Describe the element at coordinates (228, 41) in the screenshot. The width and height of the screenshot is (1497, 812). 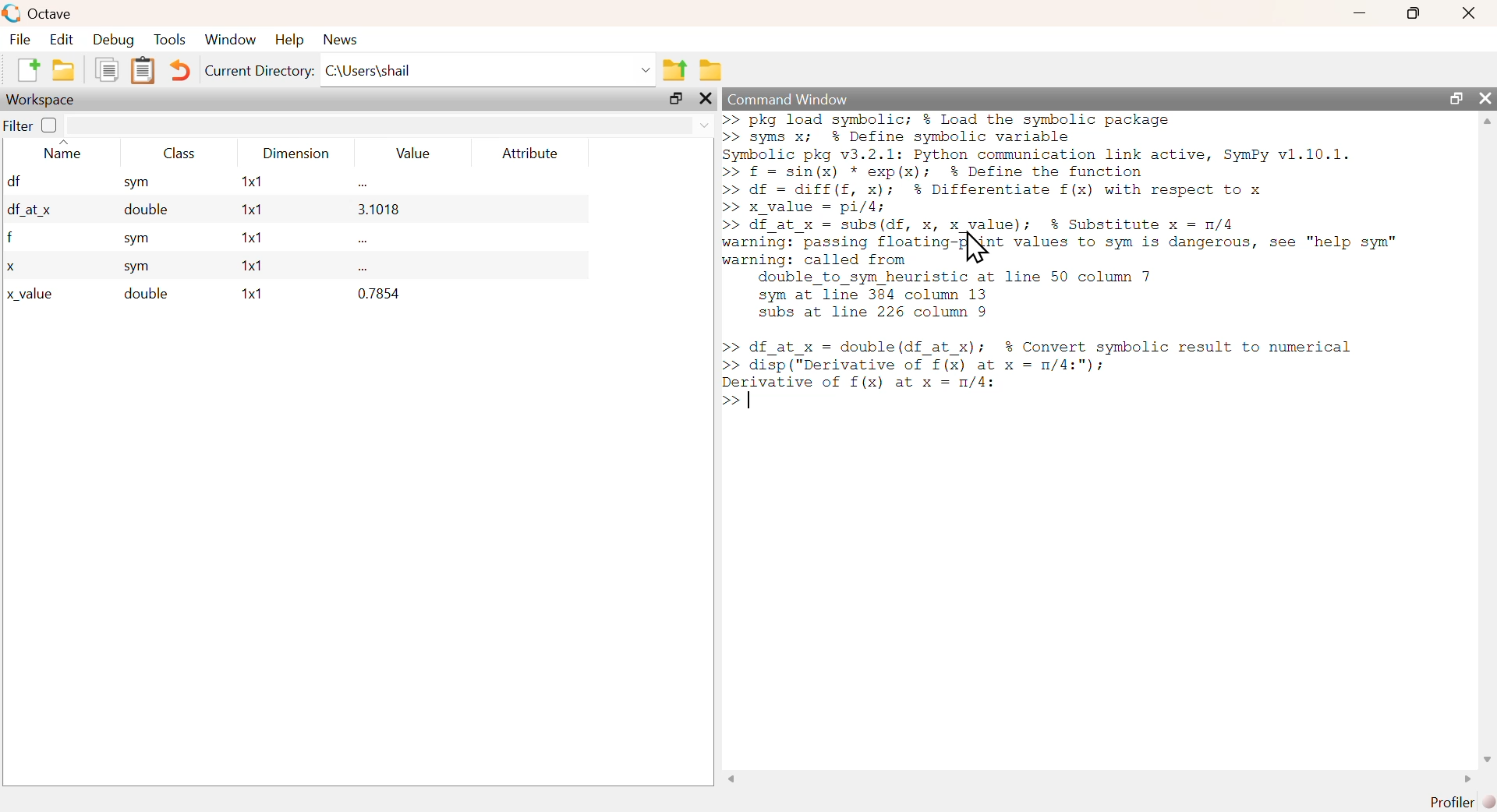
I see `‘Window` at that location.